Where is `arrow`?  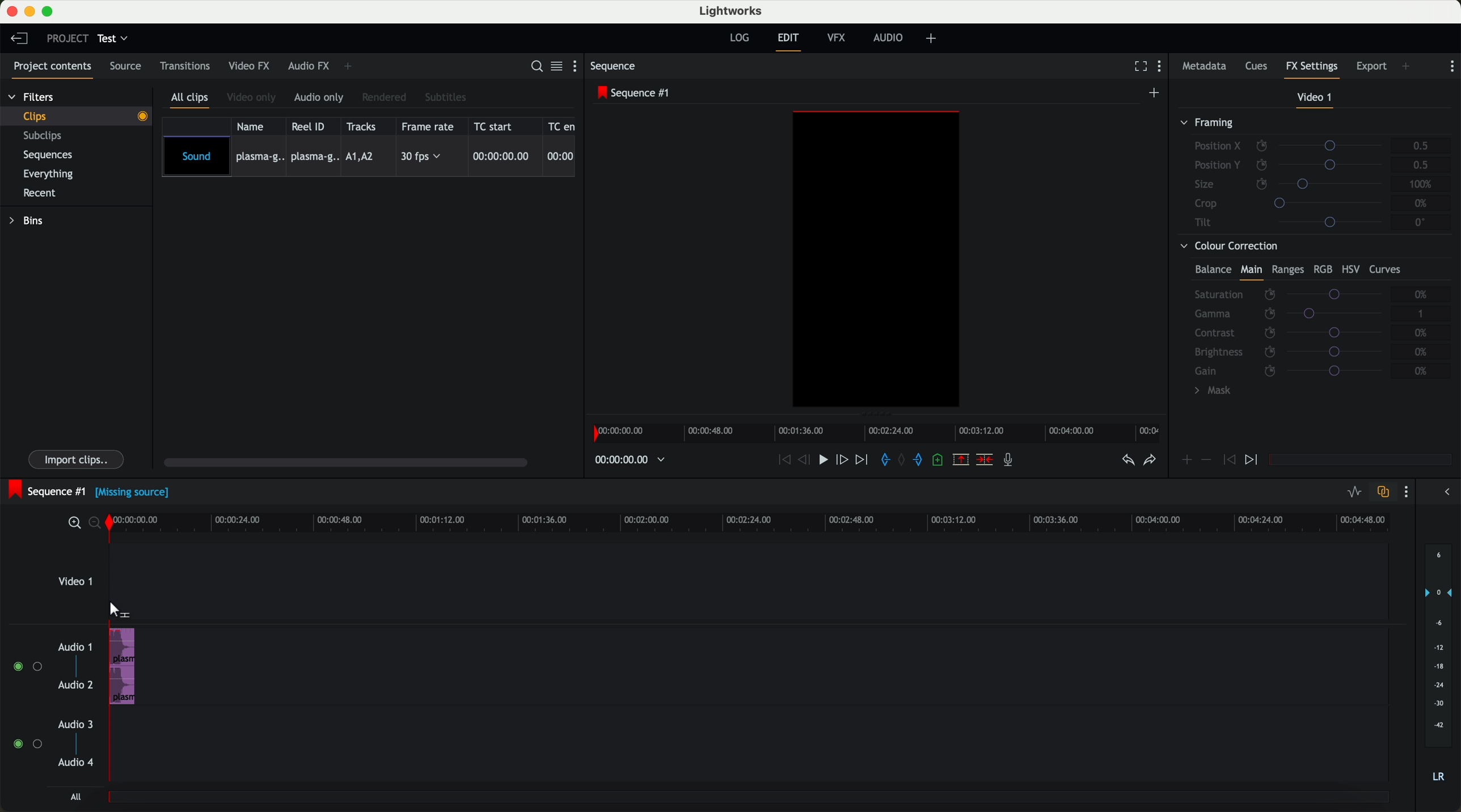
arrow is located at coordinates (1443, 493).